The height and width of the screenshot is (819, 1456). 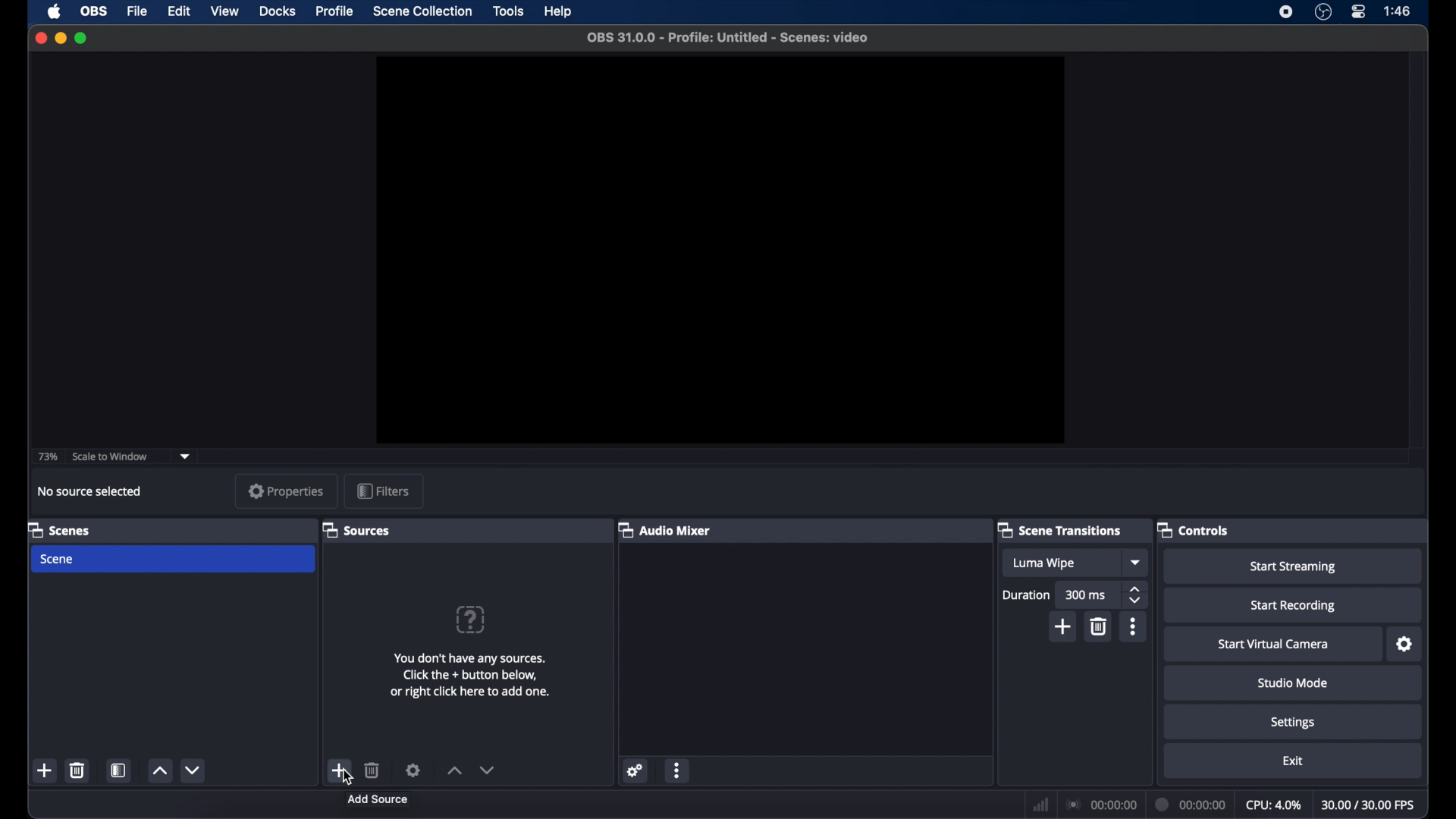 What do you see at coordinates (1041, 806) in the screenshot?
I see `network` at bounding box center [1041, 806].